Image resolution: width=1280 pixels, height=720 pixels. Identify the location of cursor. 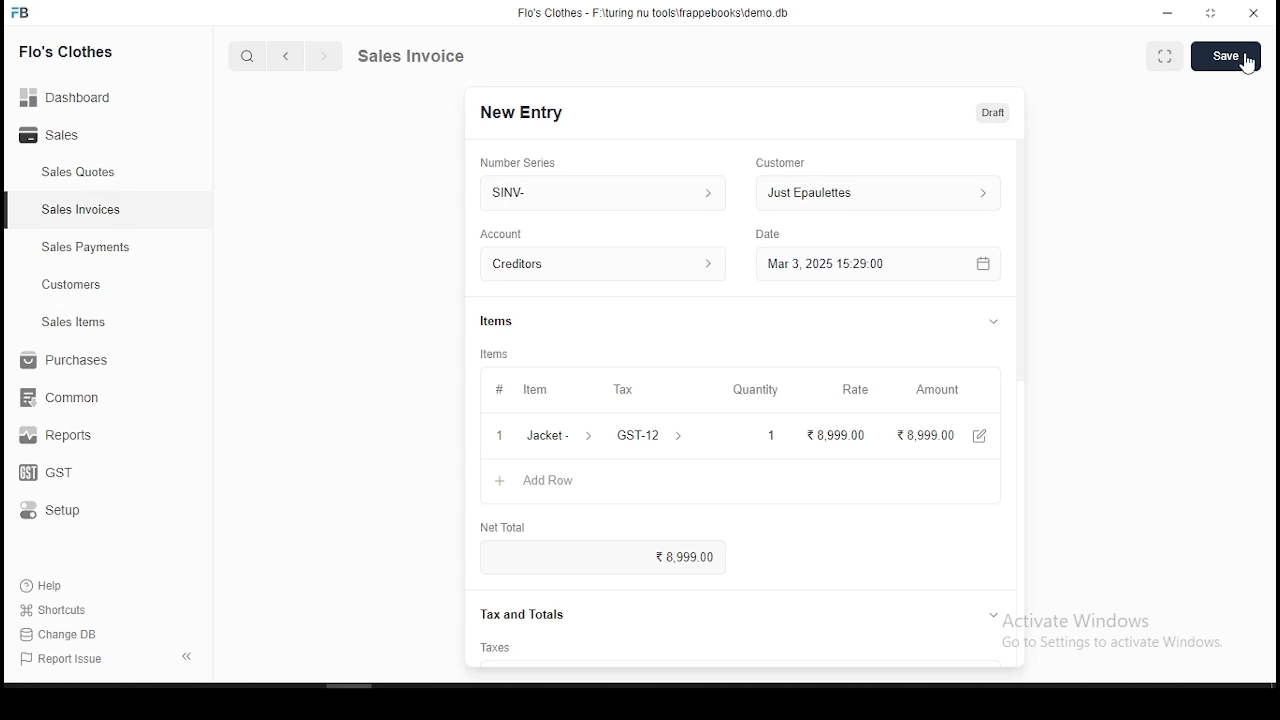
(1246, 66).